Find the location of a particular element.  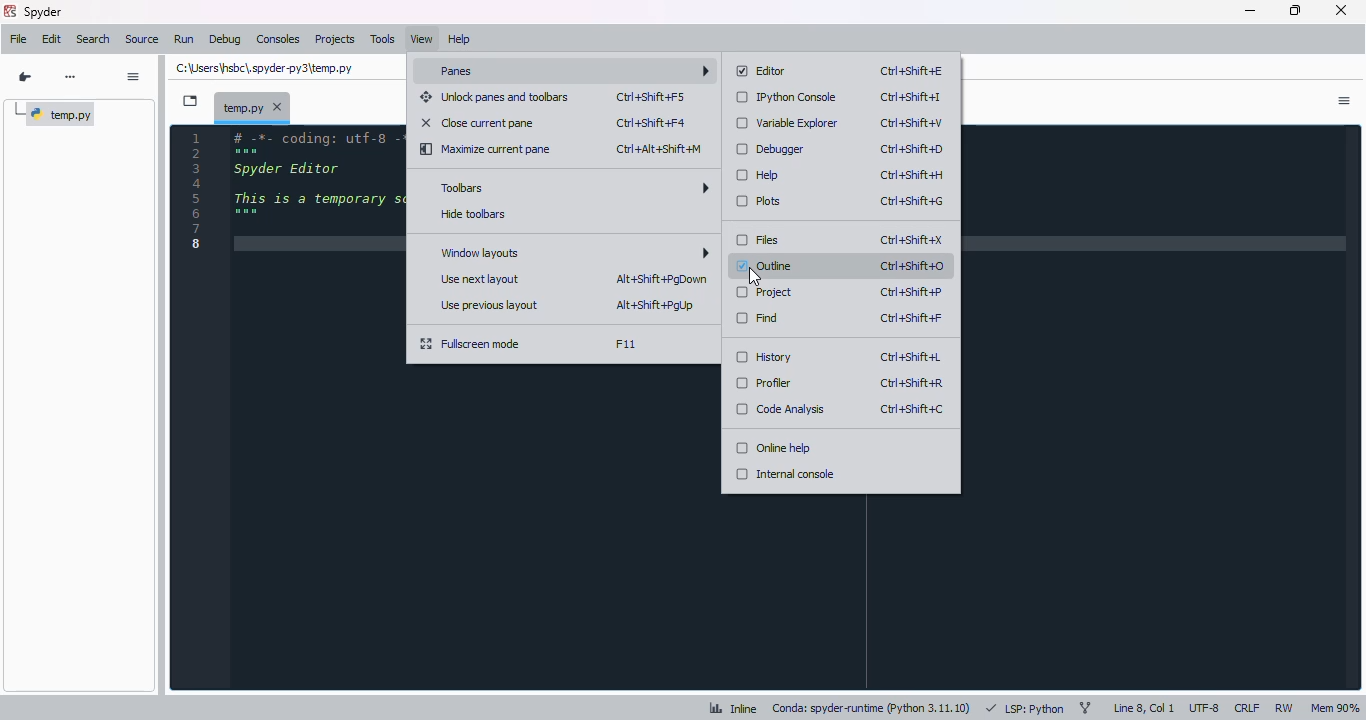

UTF-8 is located at coordinates (1205, 707).